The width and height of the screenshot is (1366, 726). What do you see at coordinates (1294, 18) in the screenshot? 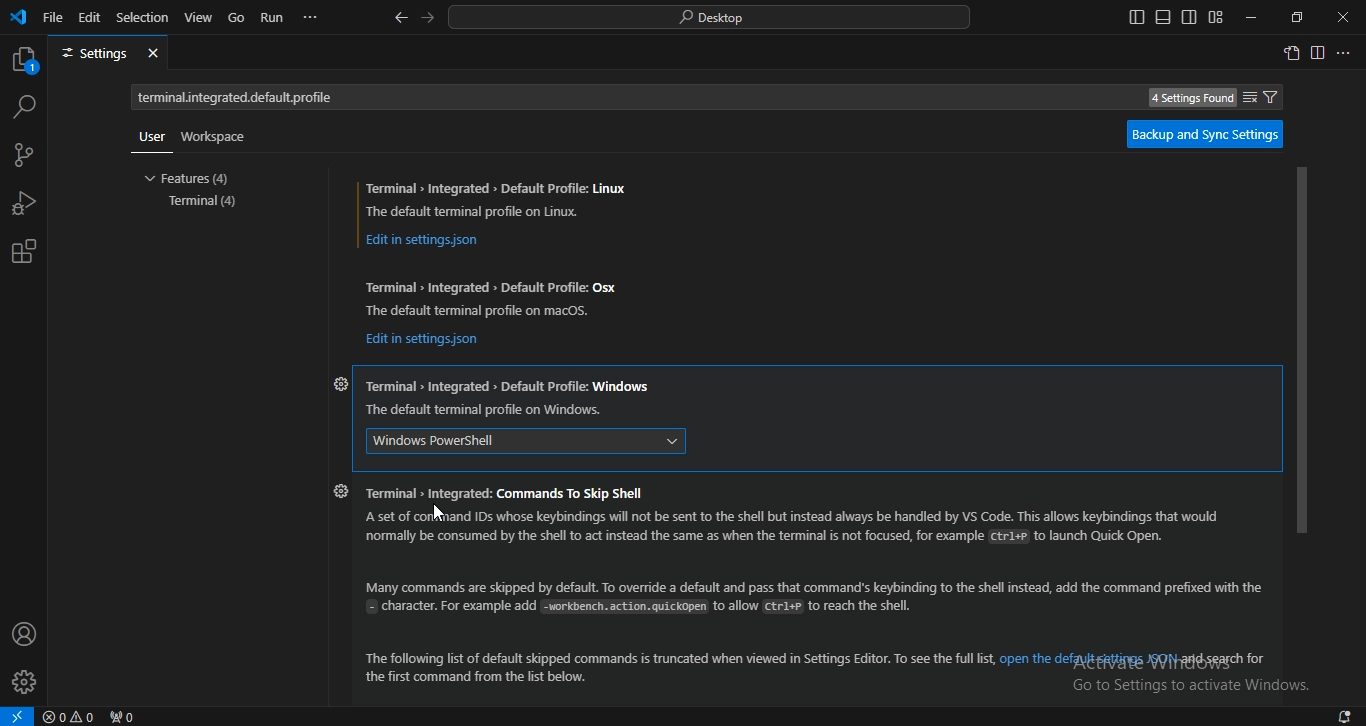
I see `restore windows` at bounding box center [1294, 18].